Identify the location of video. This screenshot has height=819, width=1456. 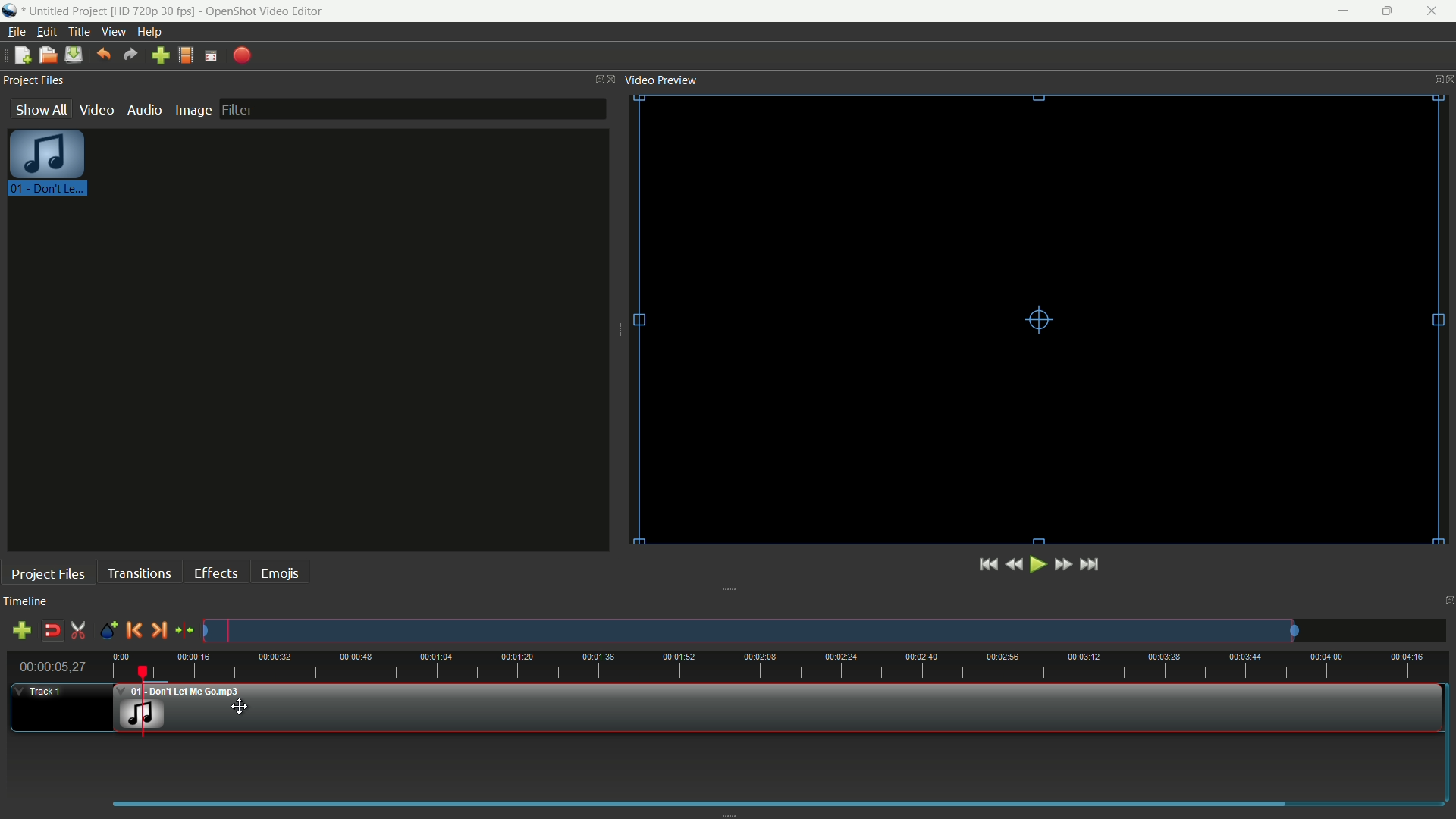
(96, 110).